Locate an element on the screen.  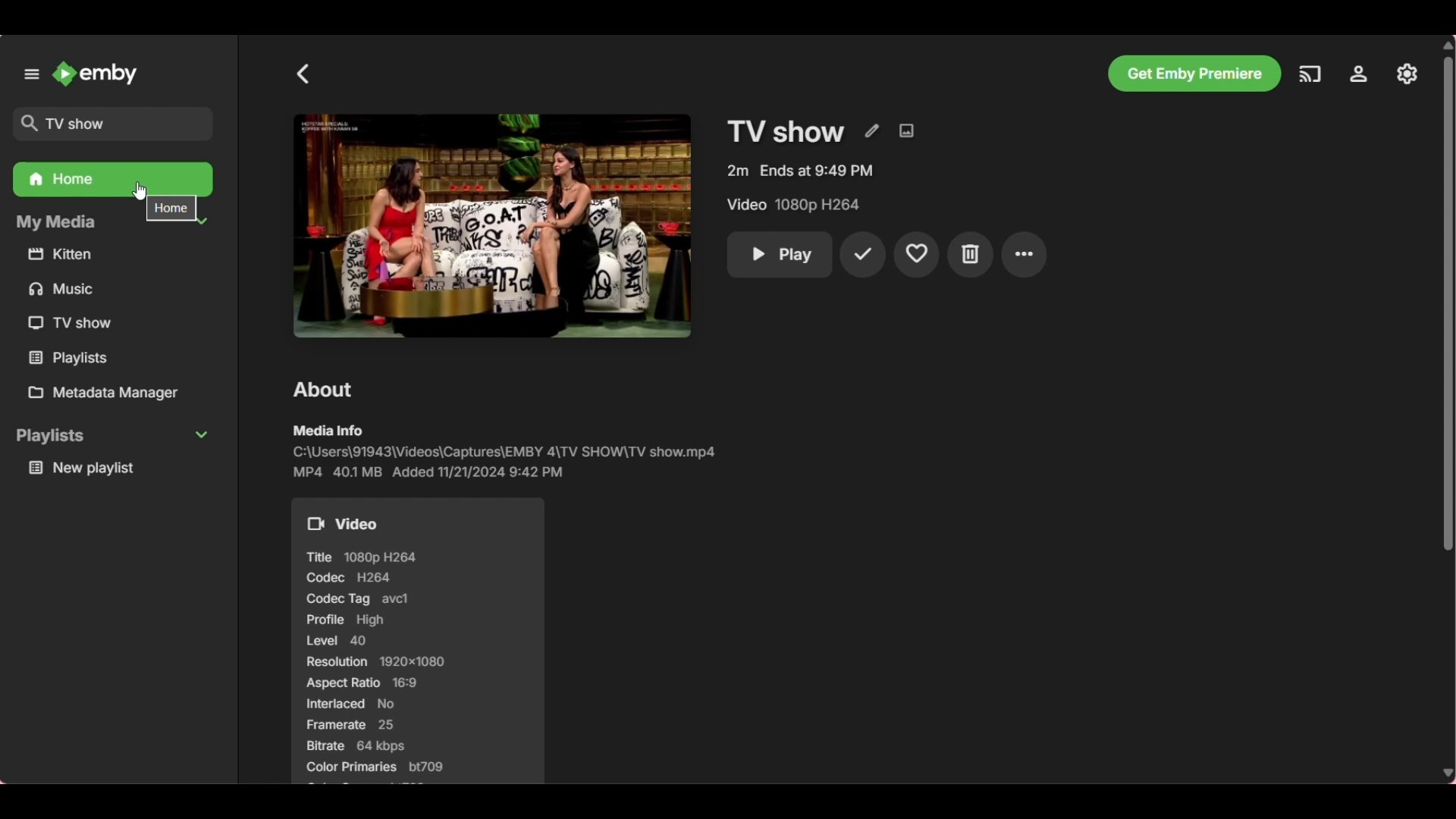
Delete is located at coordinates (971, 254).